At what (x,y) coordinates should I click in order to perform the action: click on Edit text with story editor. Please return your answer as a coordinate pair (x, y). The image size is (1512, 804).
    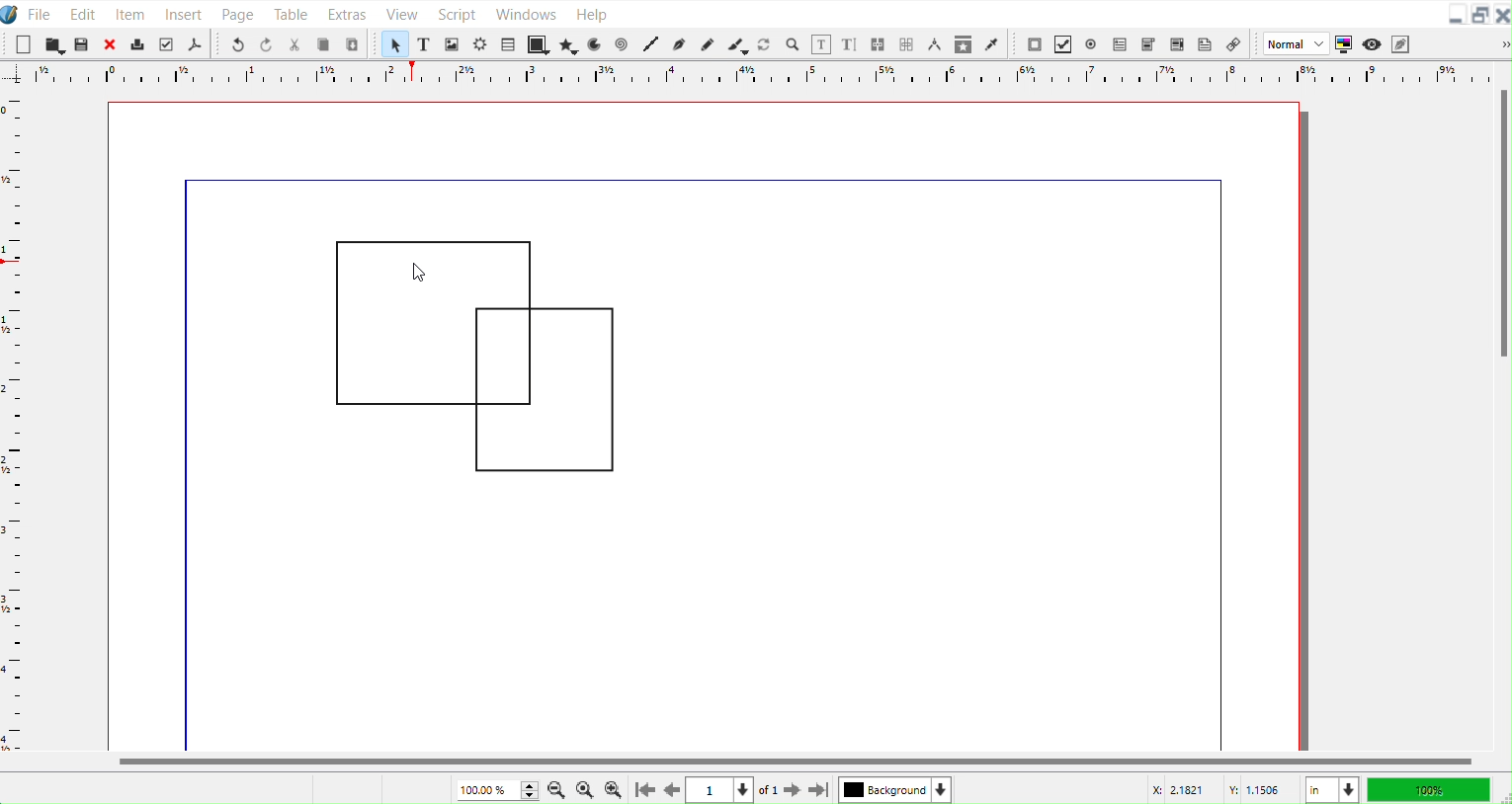
    Looking at the image, I should click on (851, 44).